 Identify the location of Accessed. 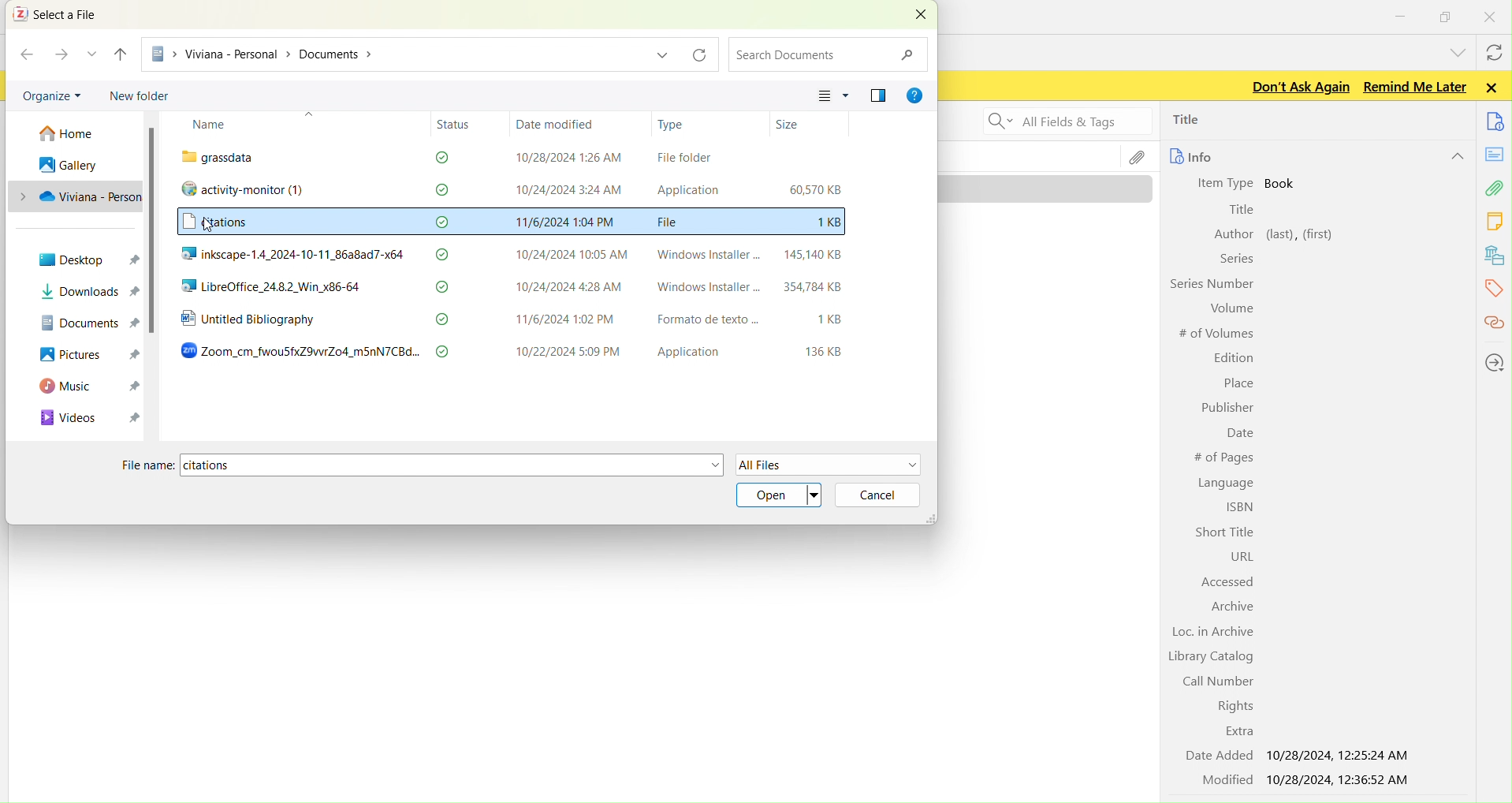
(1229, 581).